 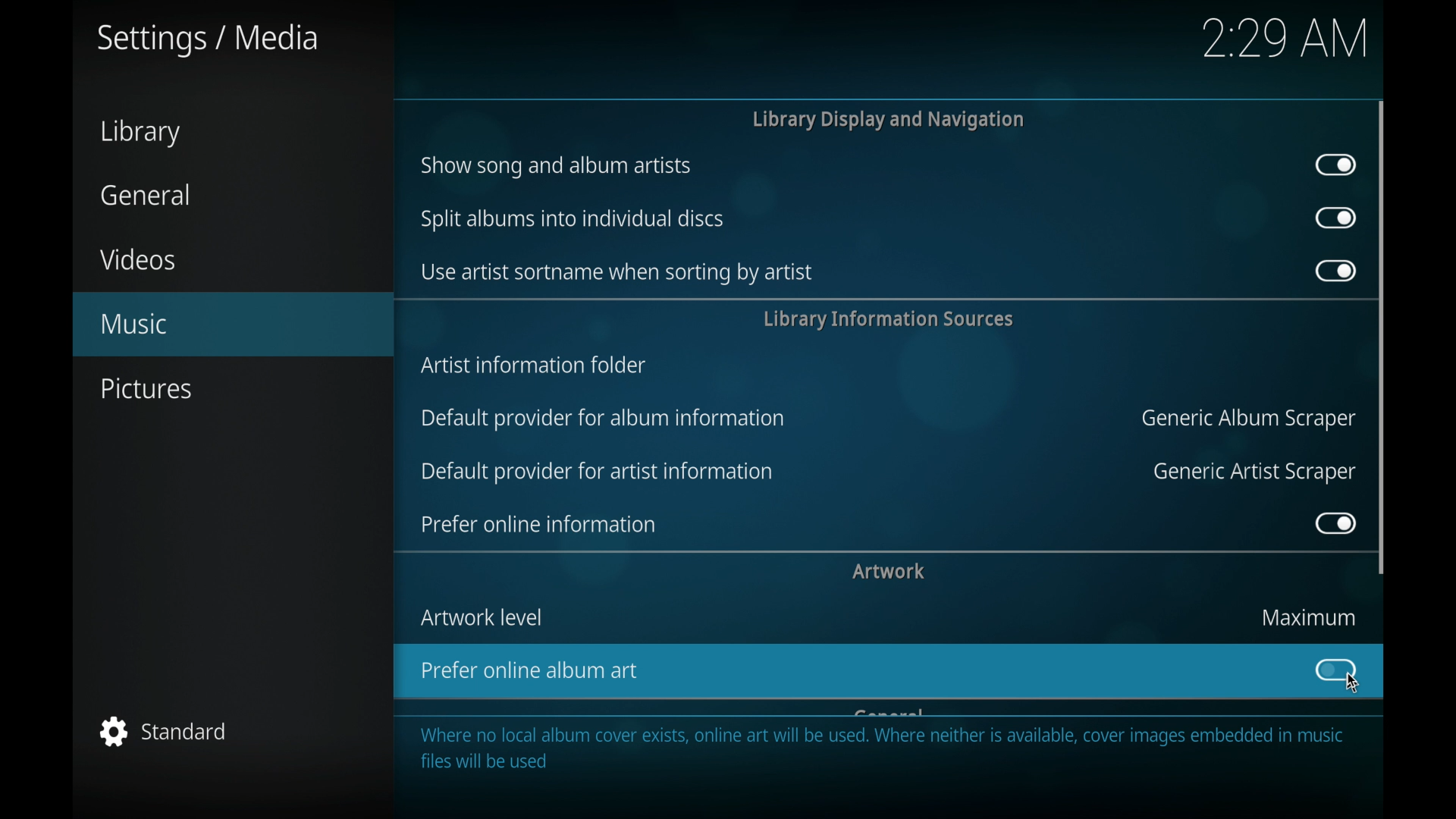 What do you see at coordinates (1336, 218) in the screenshot?
I see `toggle button` at bounding box center [1336, 218].